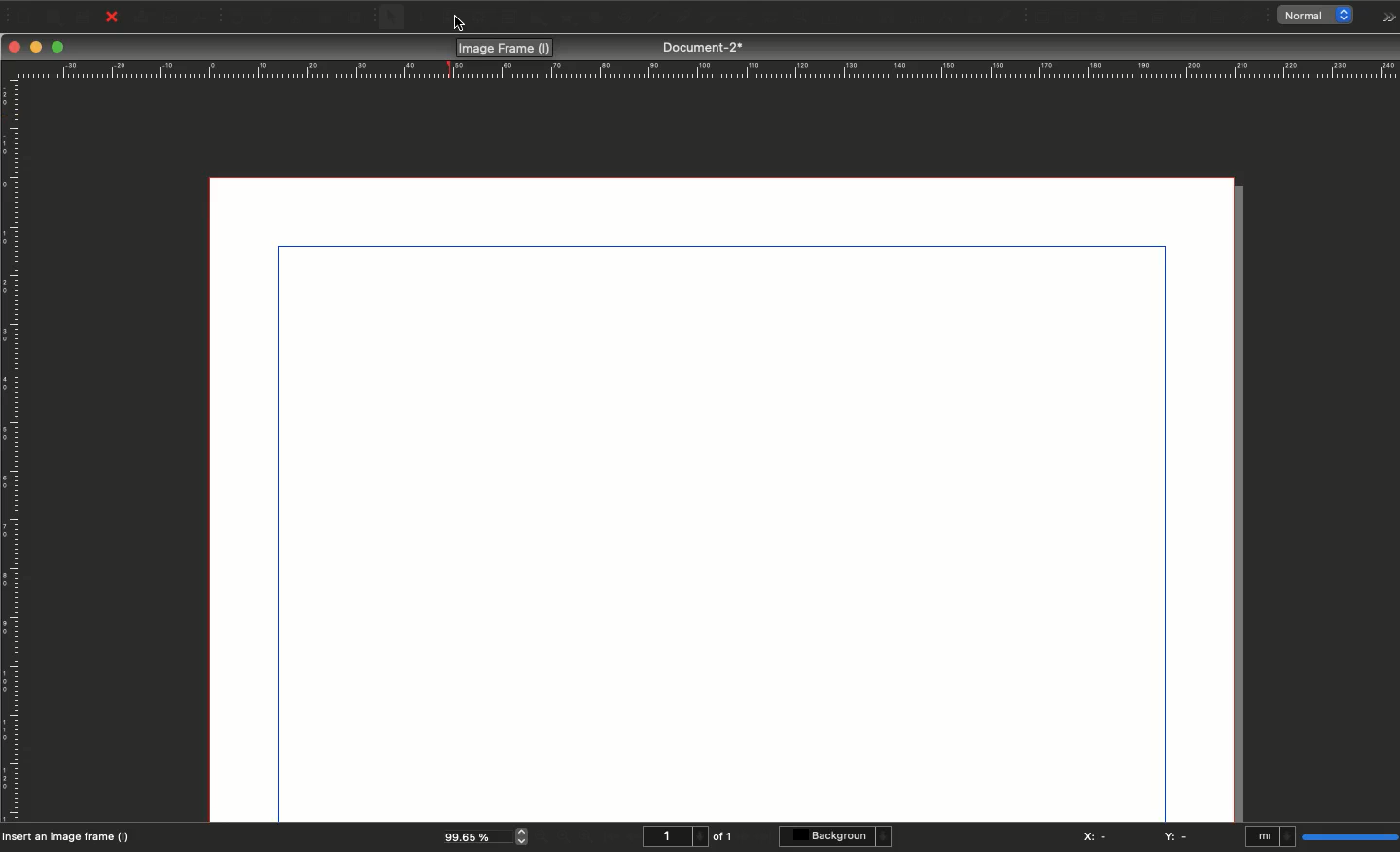  I want to click on Image frame, so click(453, 19).